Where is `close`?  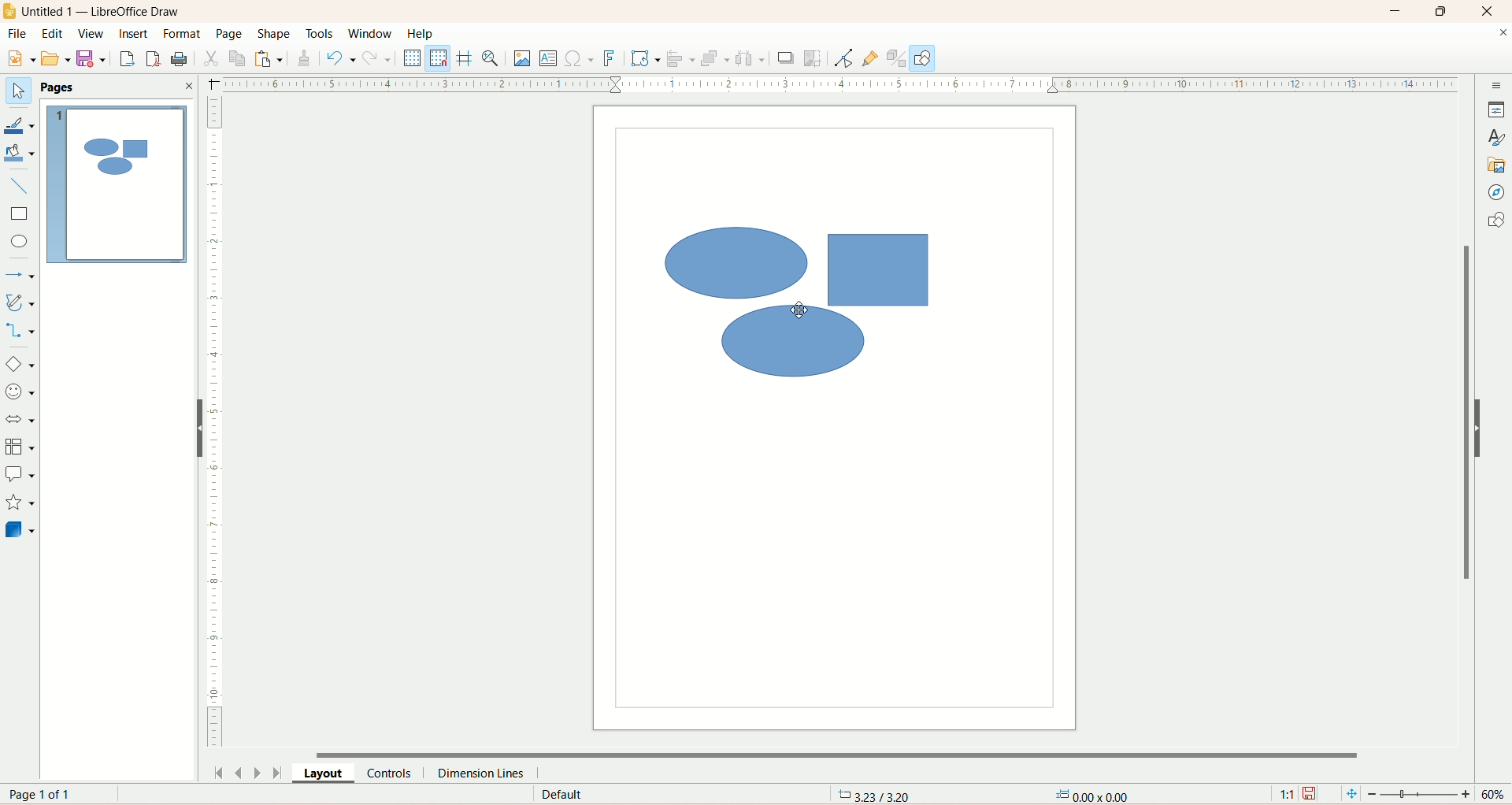
close is located at coordinates (1499, 34).